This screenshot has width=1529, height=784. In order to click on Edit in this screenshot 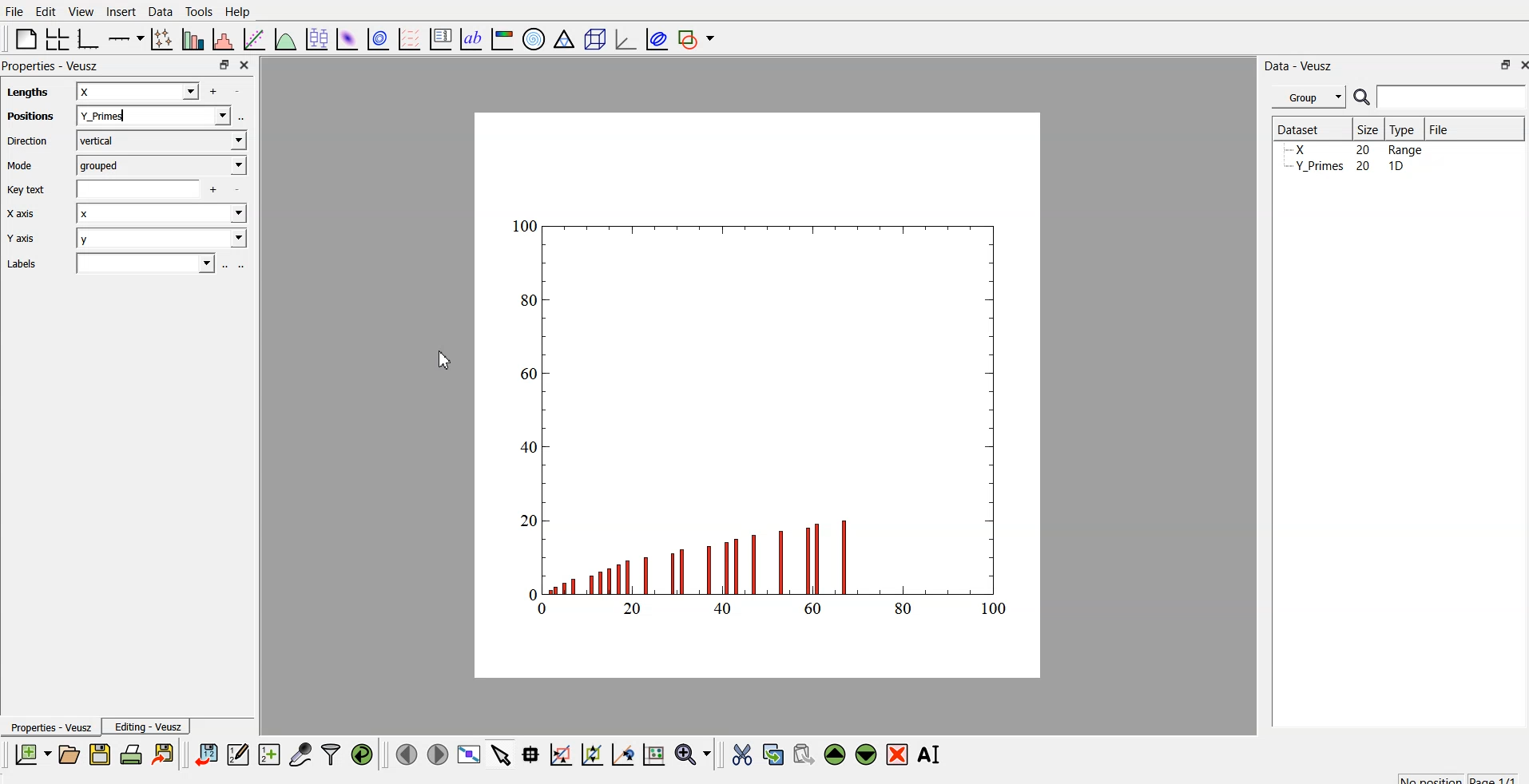, I will do `click(43, 10)`.